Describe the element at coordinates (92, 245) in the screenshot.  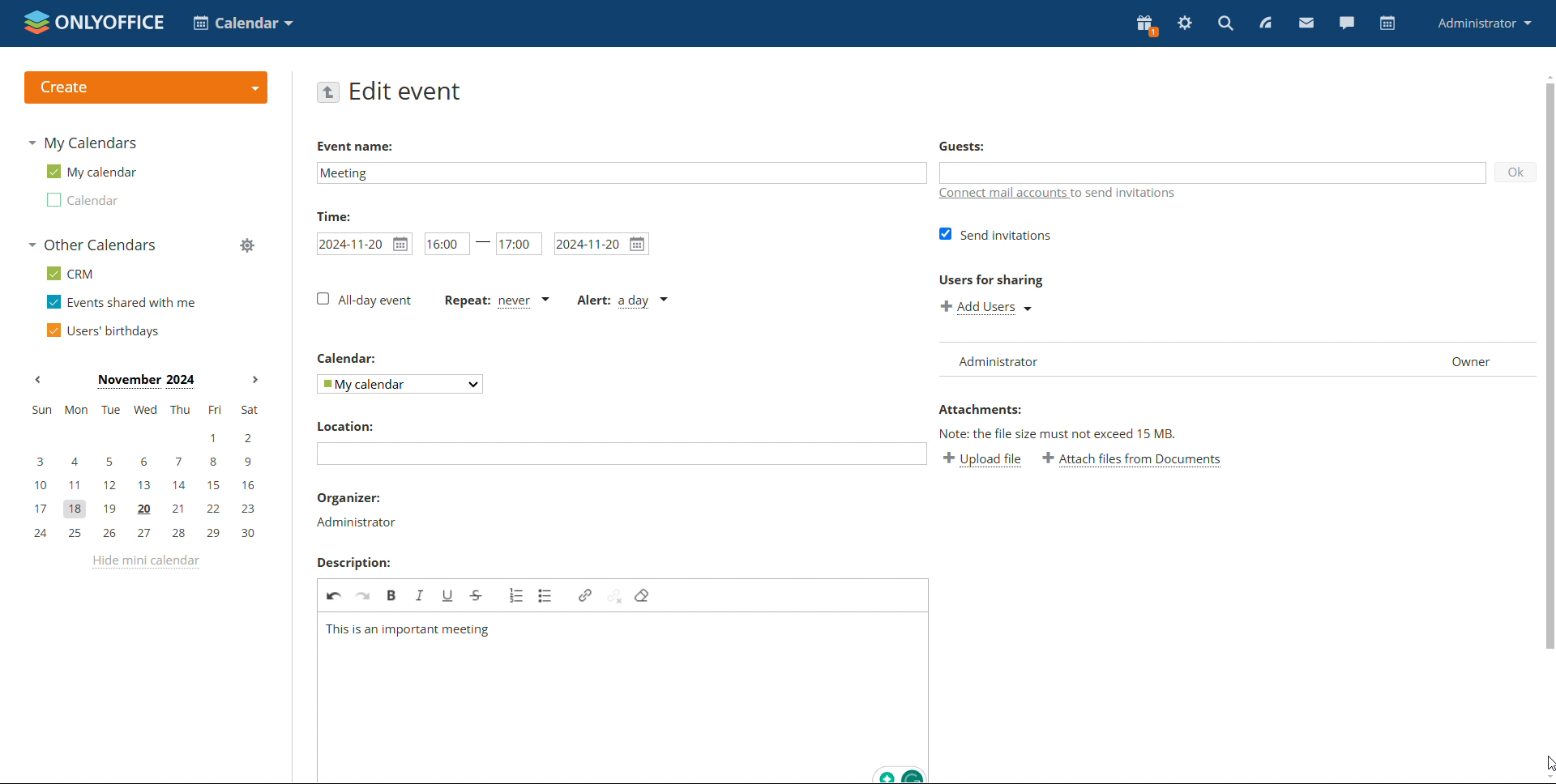
I see `other calendars` at that location.